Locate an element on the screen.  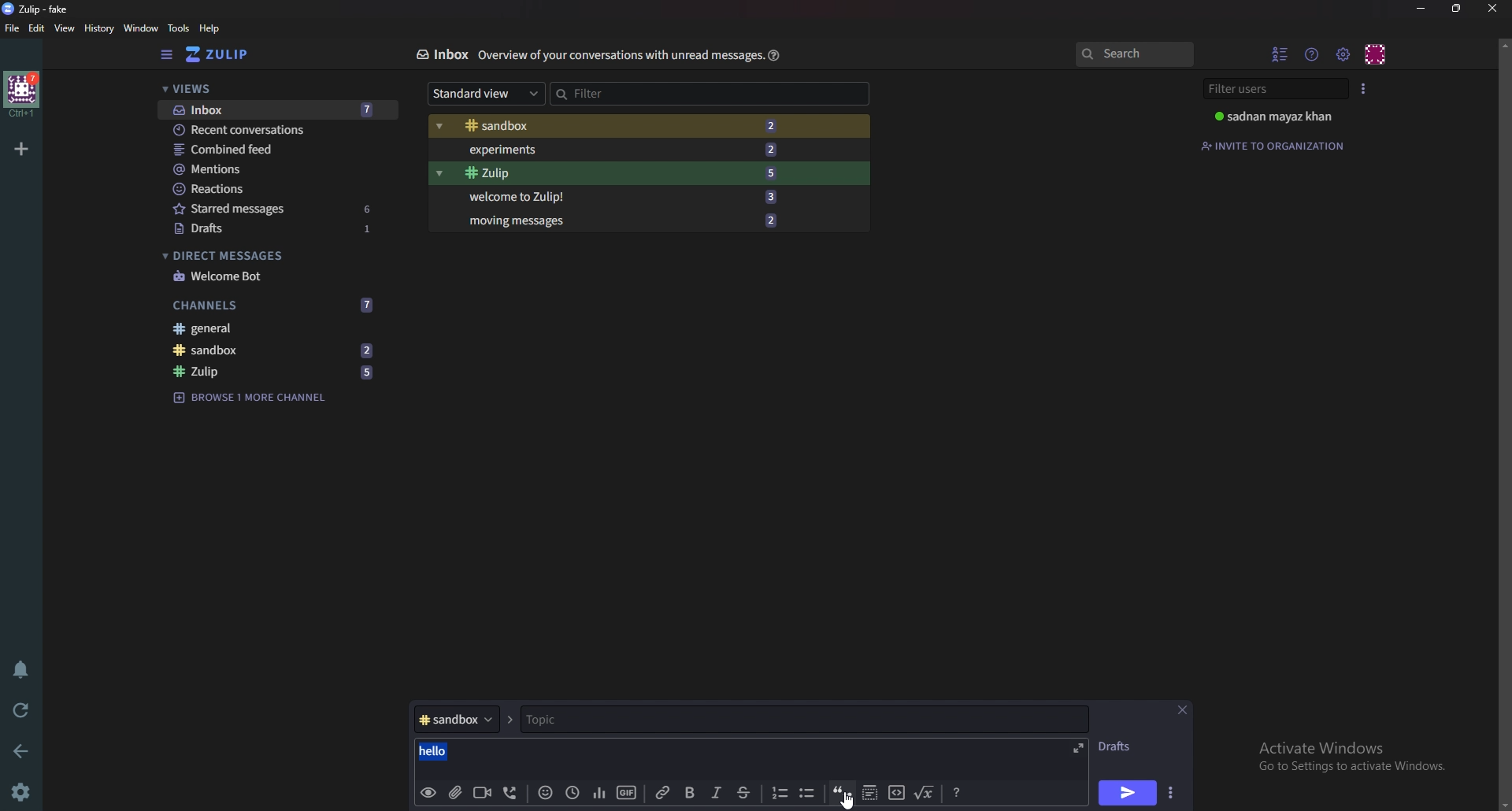
Spoiler is located at coordinates (872, 794).